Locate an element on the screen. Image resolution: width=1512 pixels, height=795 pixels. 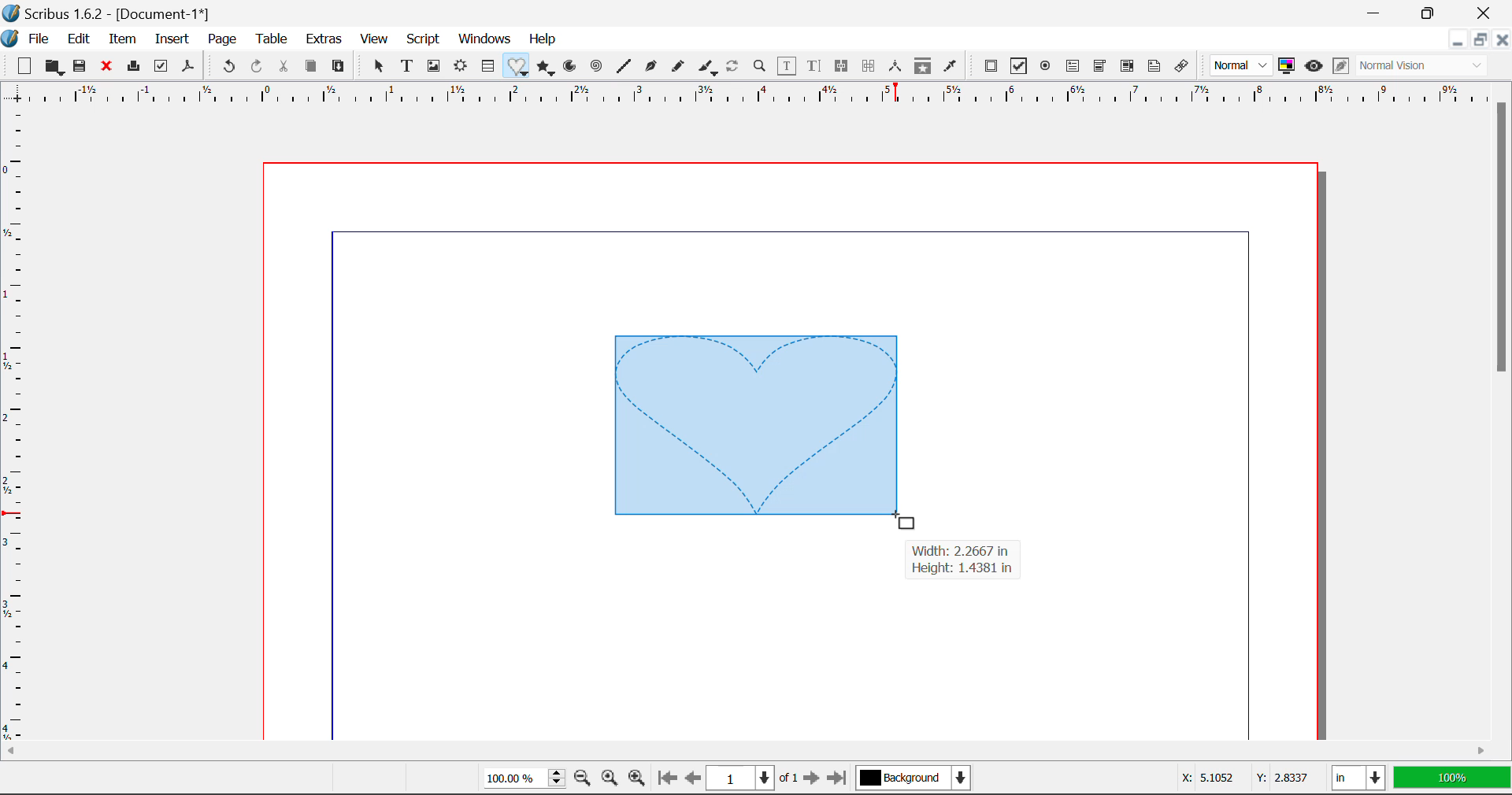
Image Frames is located at coordinates (433, 66).